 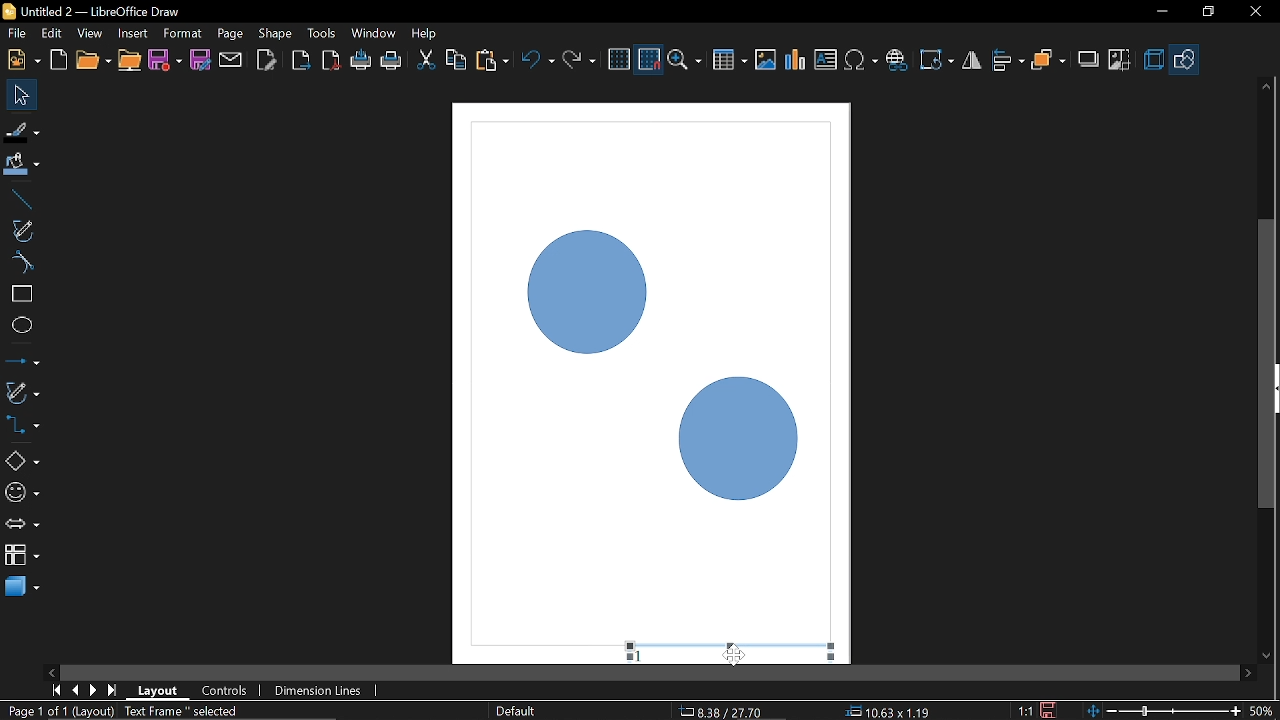 I want to click on Save as, so click(x=200, y=60).